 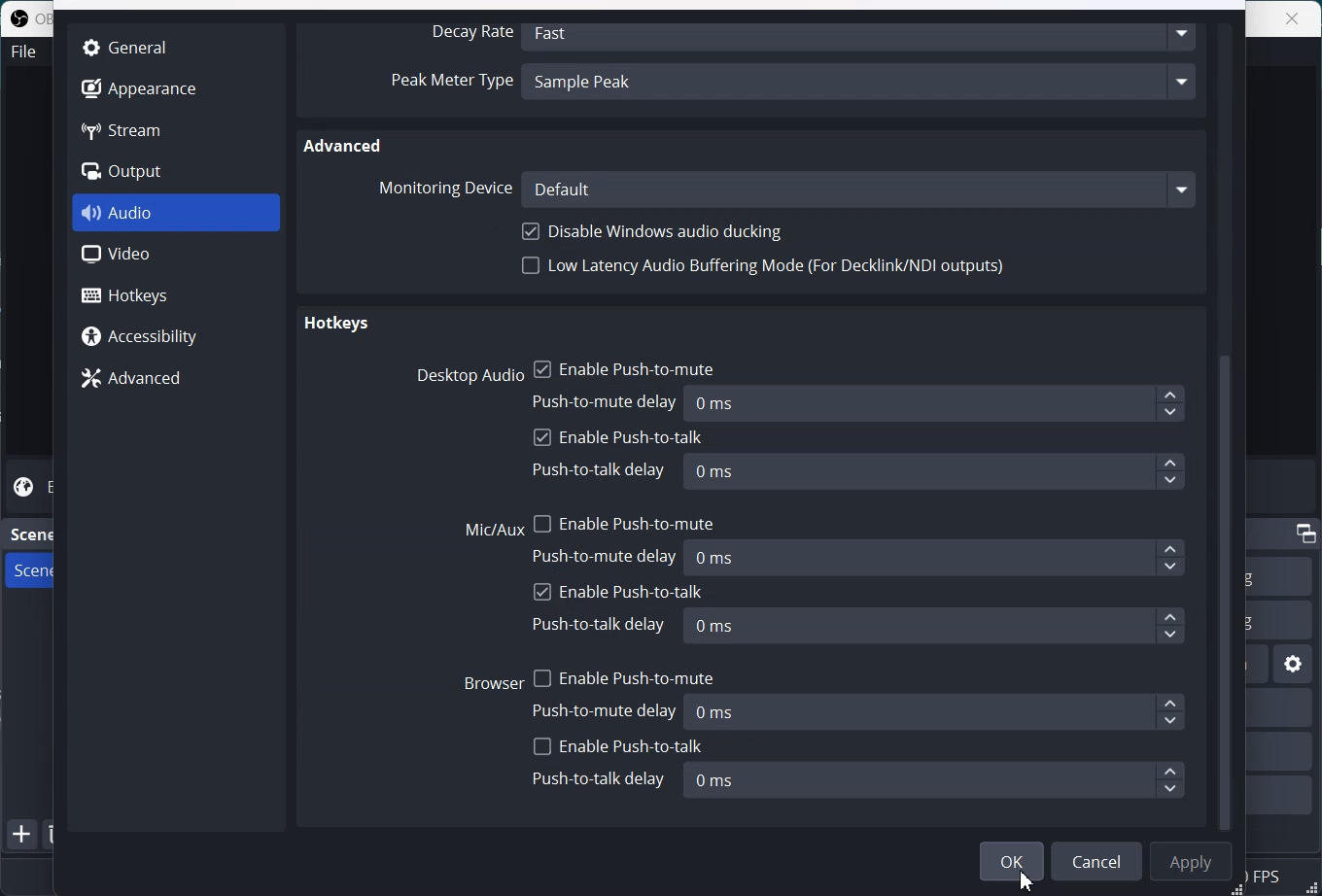 I want to click on Enable Push-to-talk, so click(x=618, y=746).